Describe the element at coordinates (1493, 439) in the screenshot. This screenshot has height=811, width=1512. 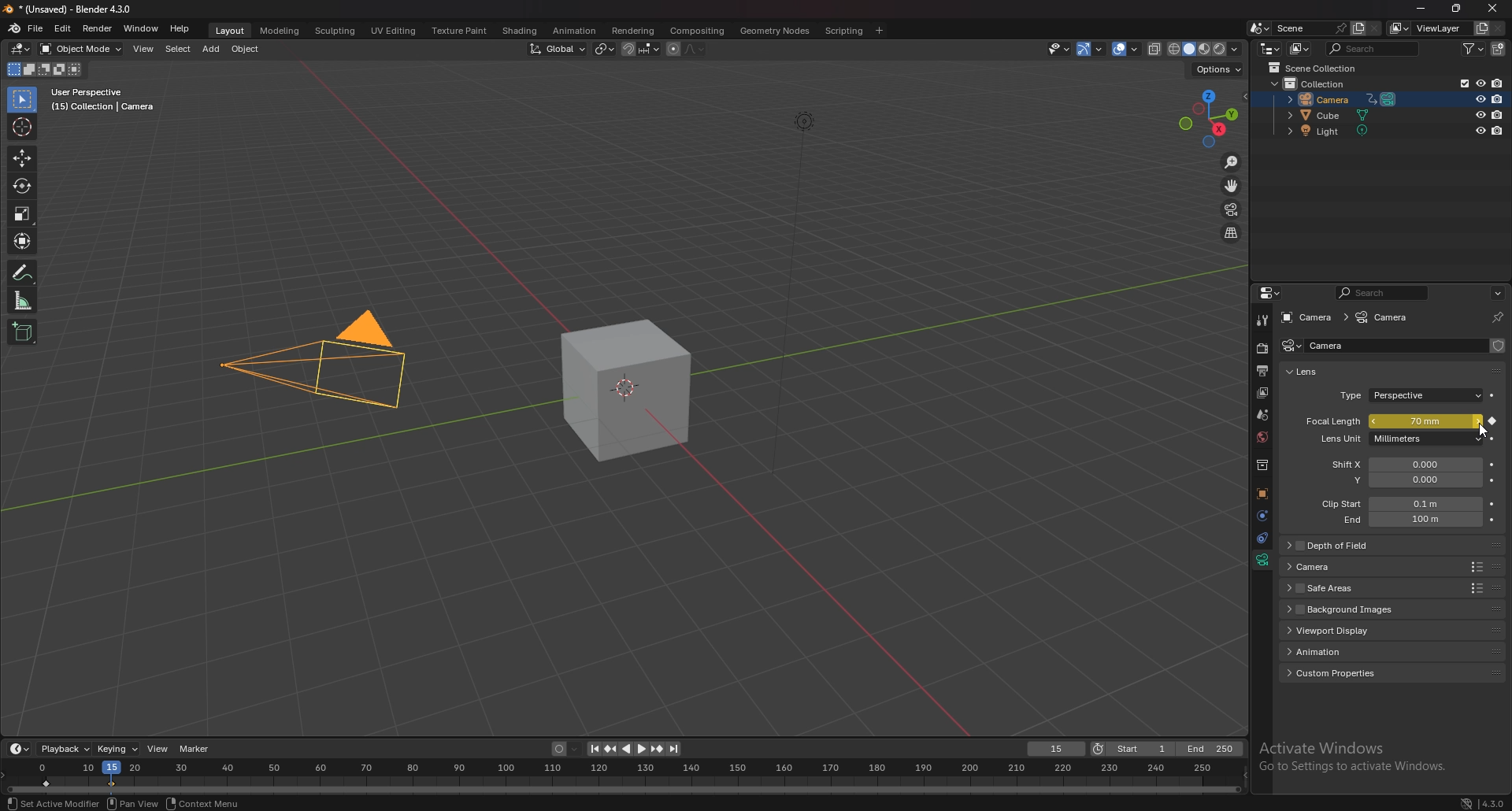
I see `animate property` at that location.